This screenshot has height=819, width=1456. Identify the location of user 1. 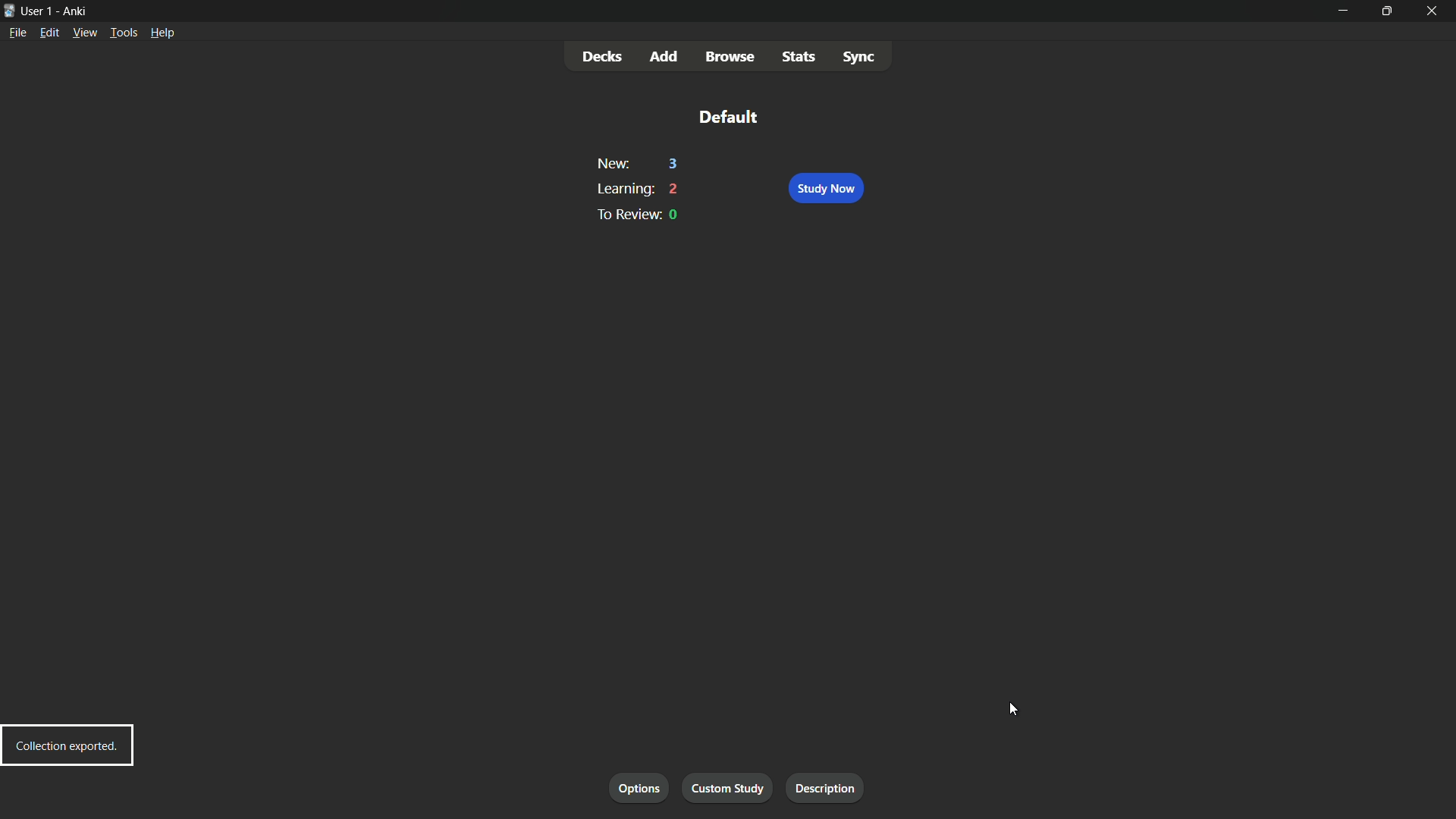
(39, 11).